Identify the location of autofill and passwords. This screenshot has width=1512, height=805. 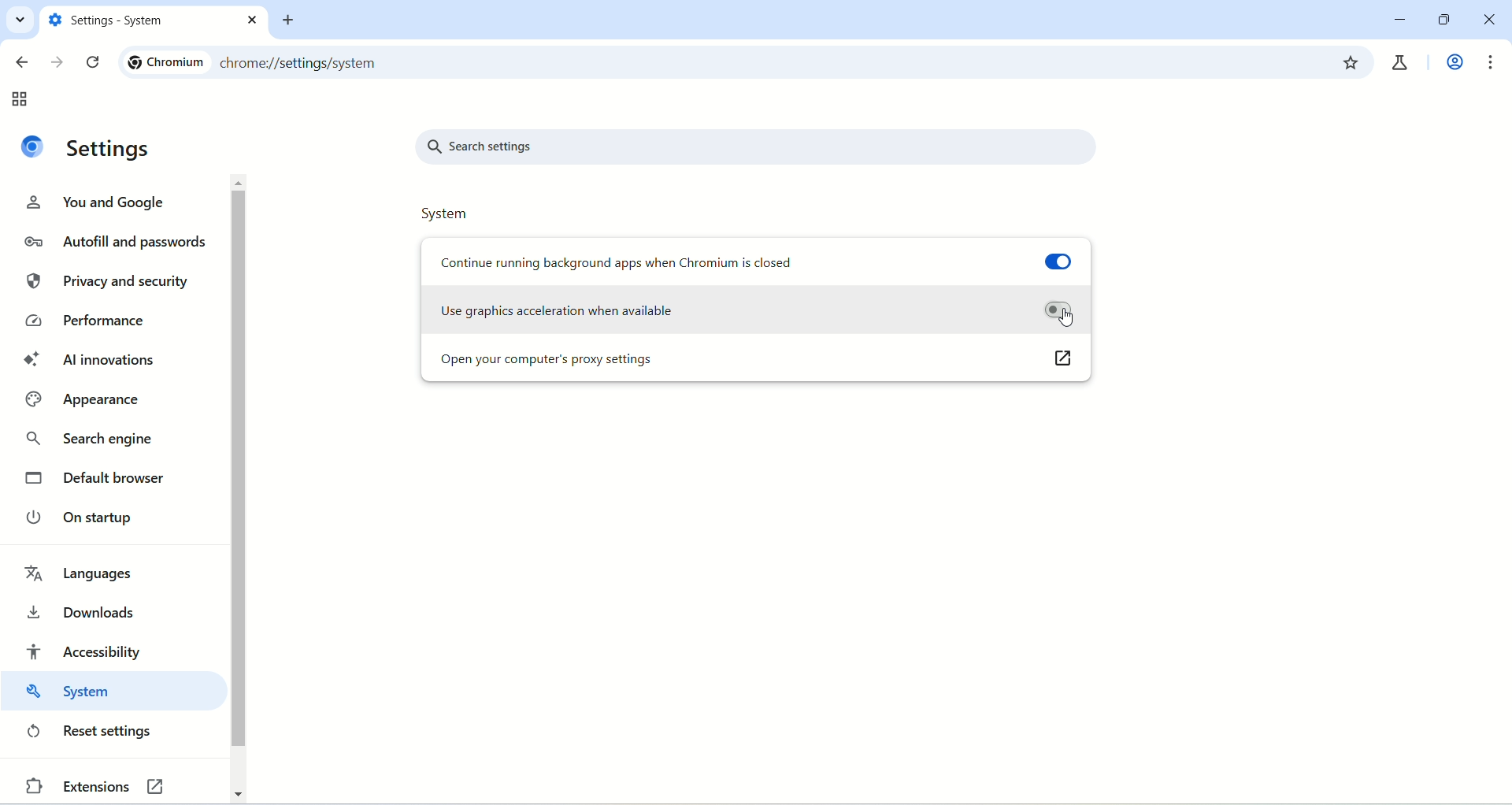
(115, 243).